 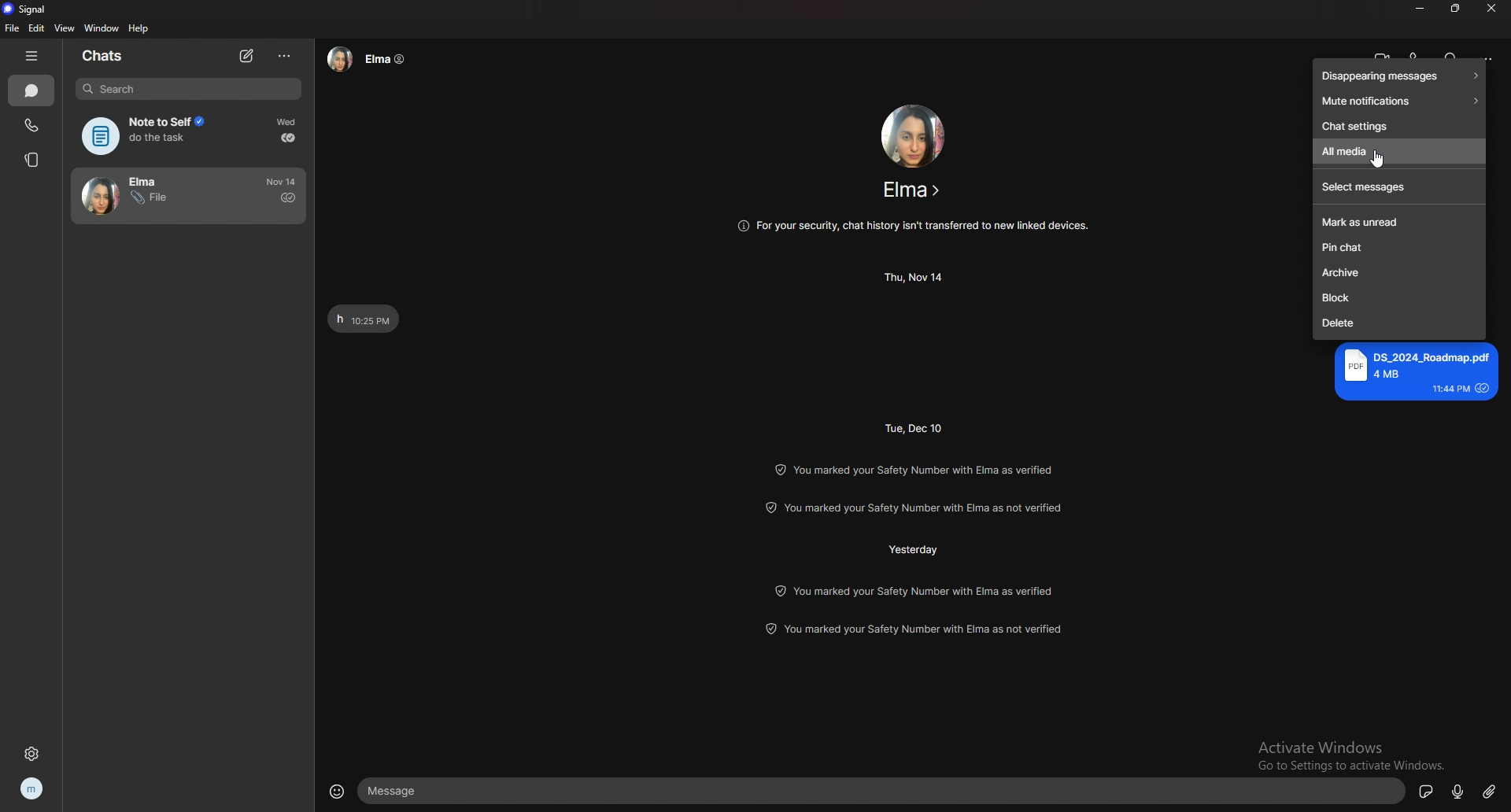 What do you see at coordinates (881, 792) in the screenshot?
I see `text box` at bounding box center [881, 792].